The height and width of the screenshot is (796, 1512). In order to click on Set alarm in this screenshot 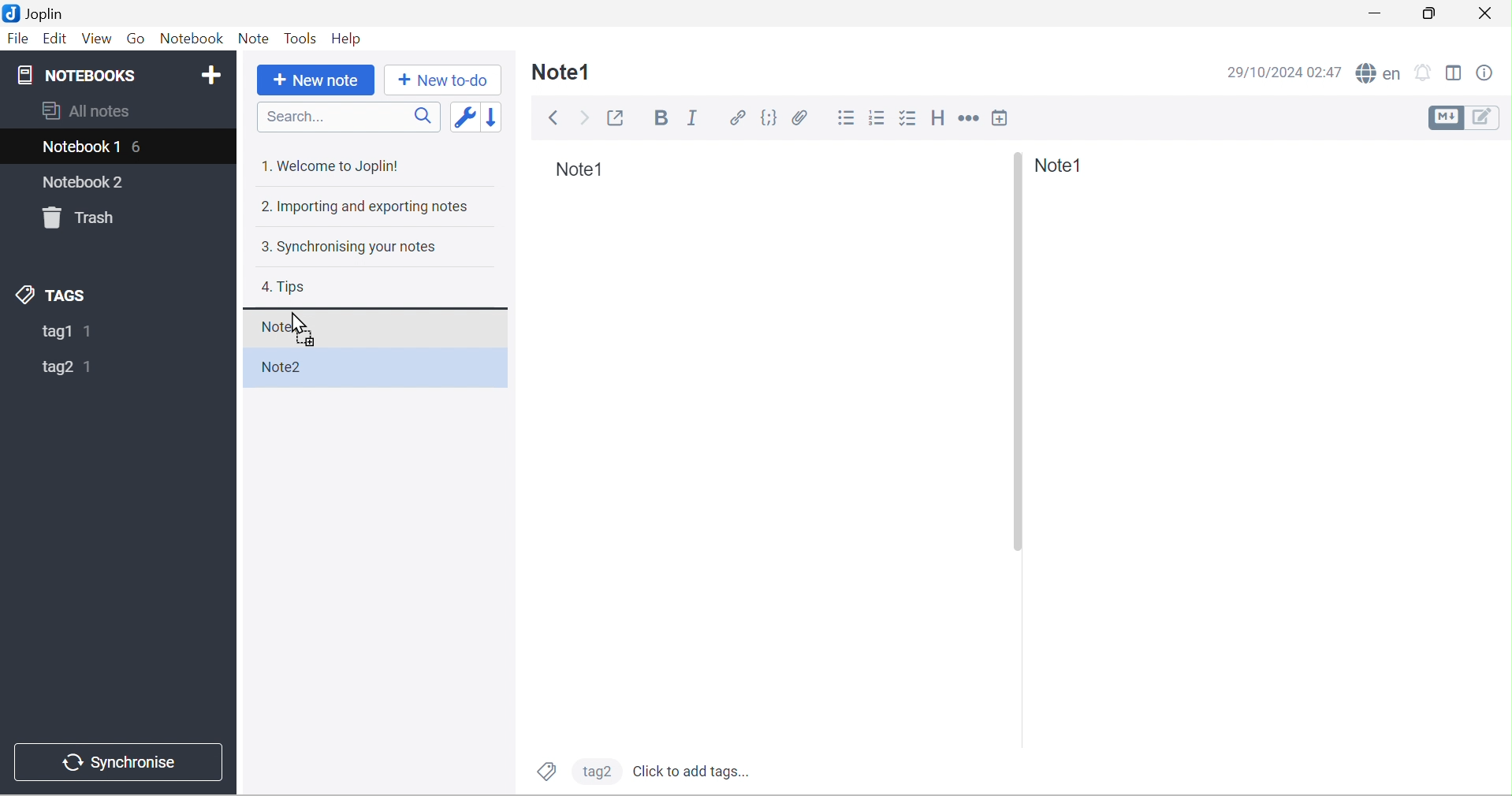, I will do `click(1424, 72)`.